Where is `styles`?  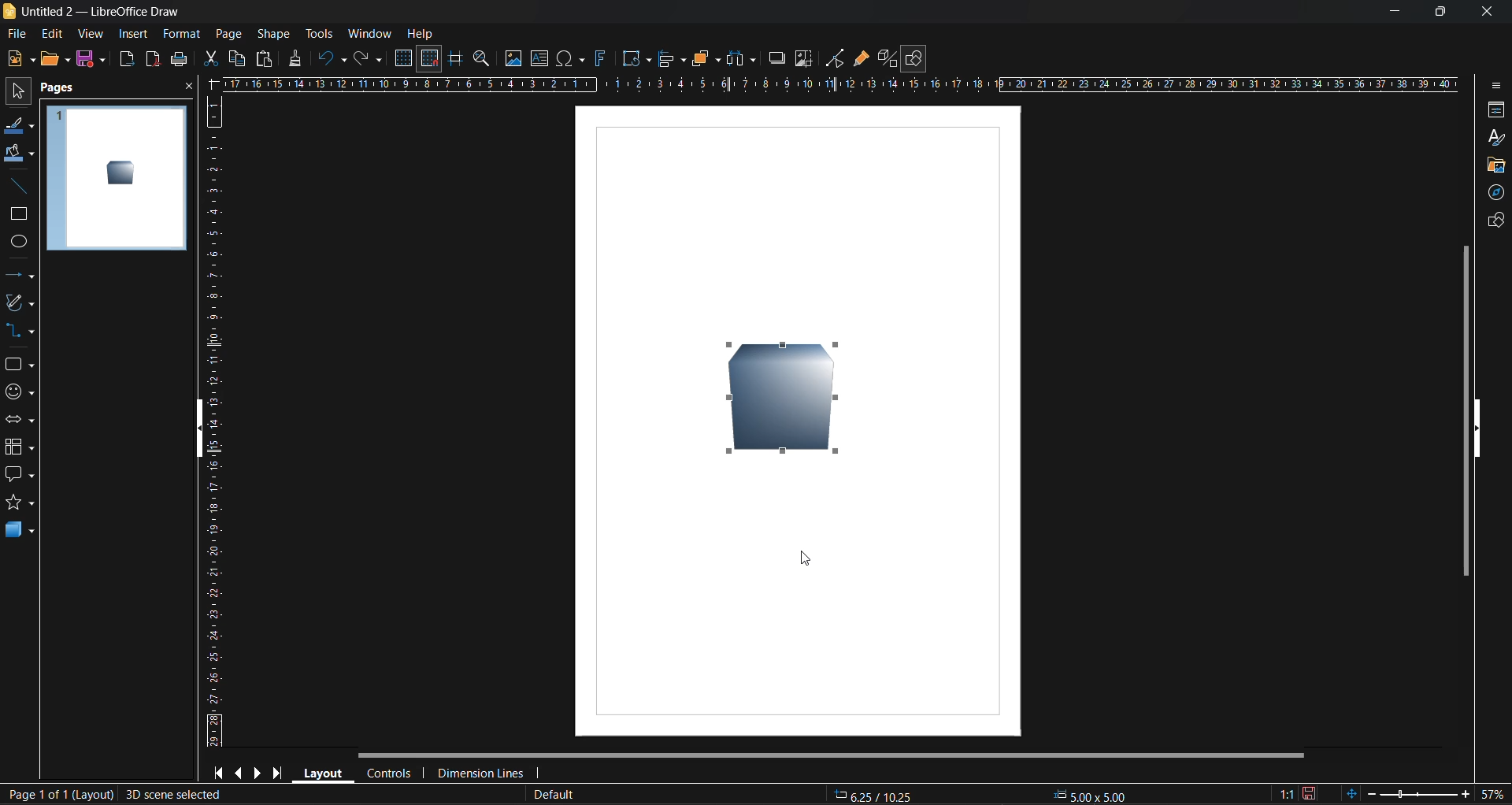
styles is located at coordinates (1494, 137).